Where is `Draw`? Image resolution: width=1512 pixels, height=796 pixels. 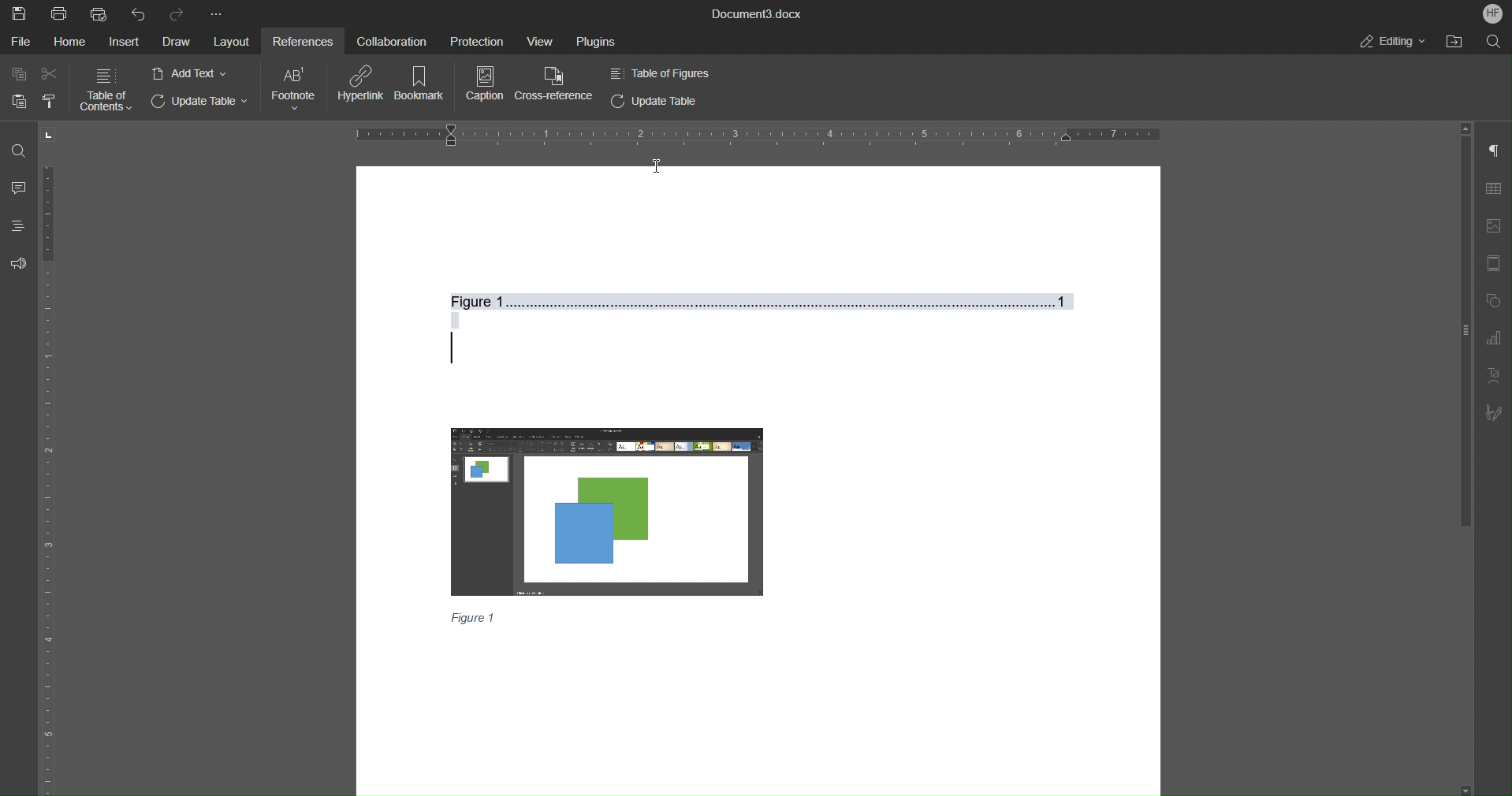 Draw is located at coordinates (174, 42).